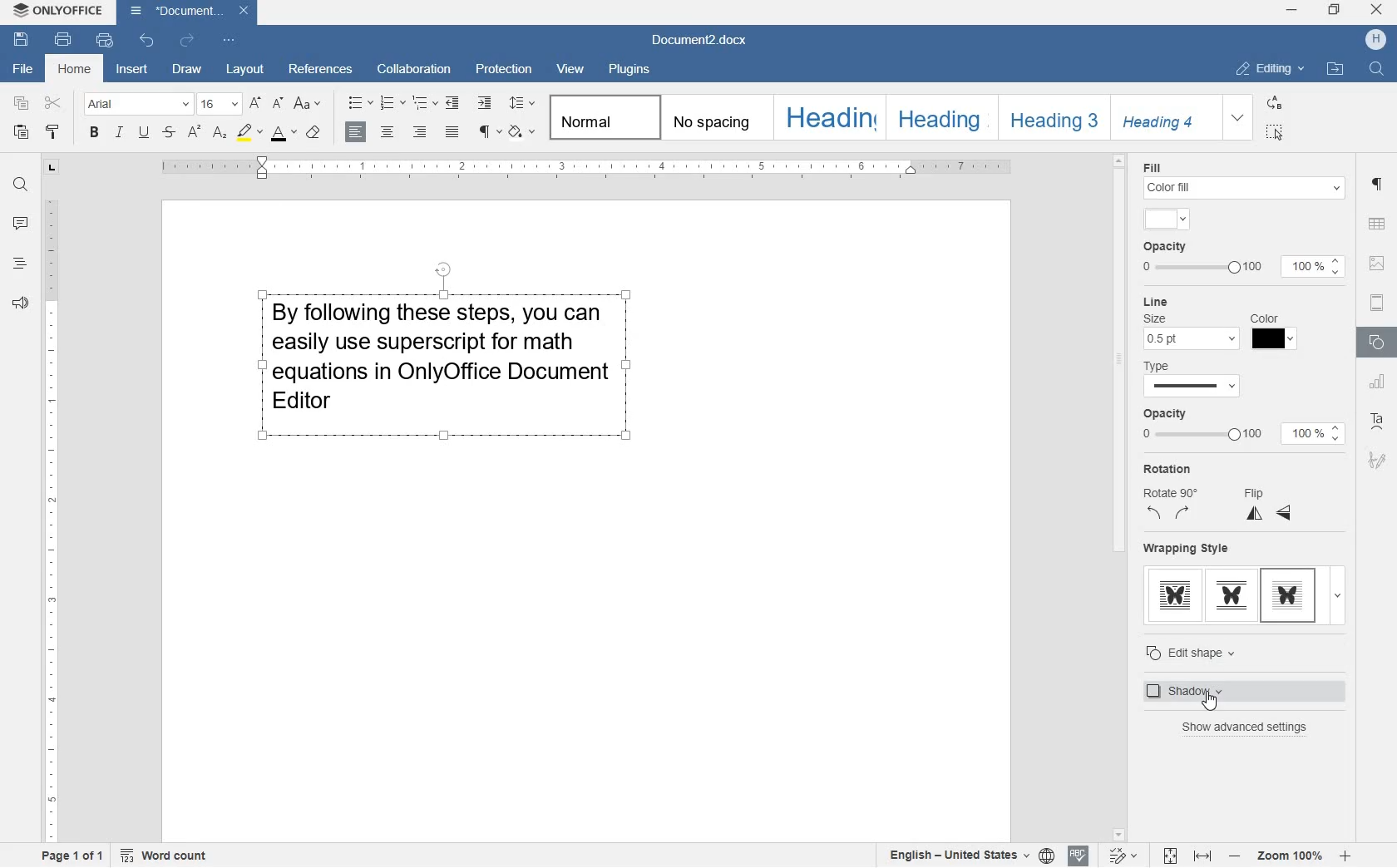 Image resolution: width=1397 pixels, height=868 pixels. I want to click on Line color, so click(1275, 333).